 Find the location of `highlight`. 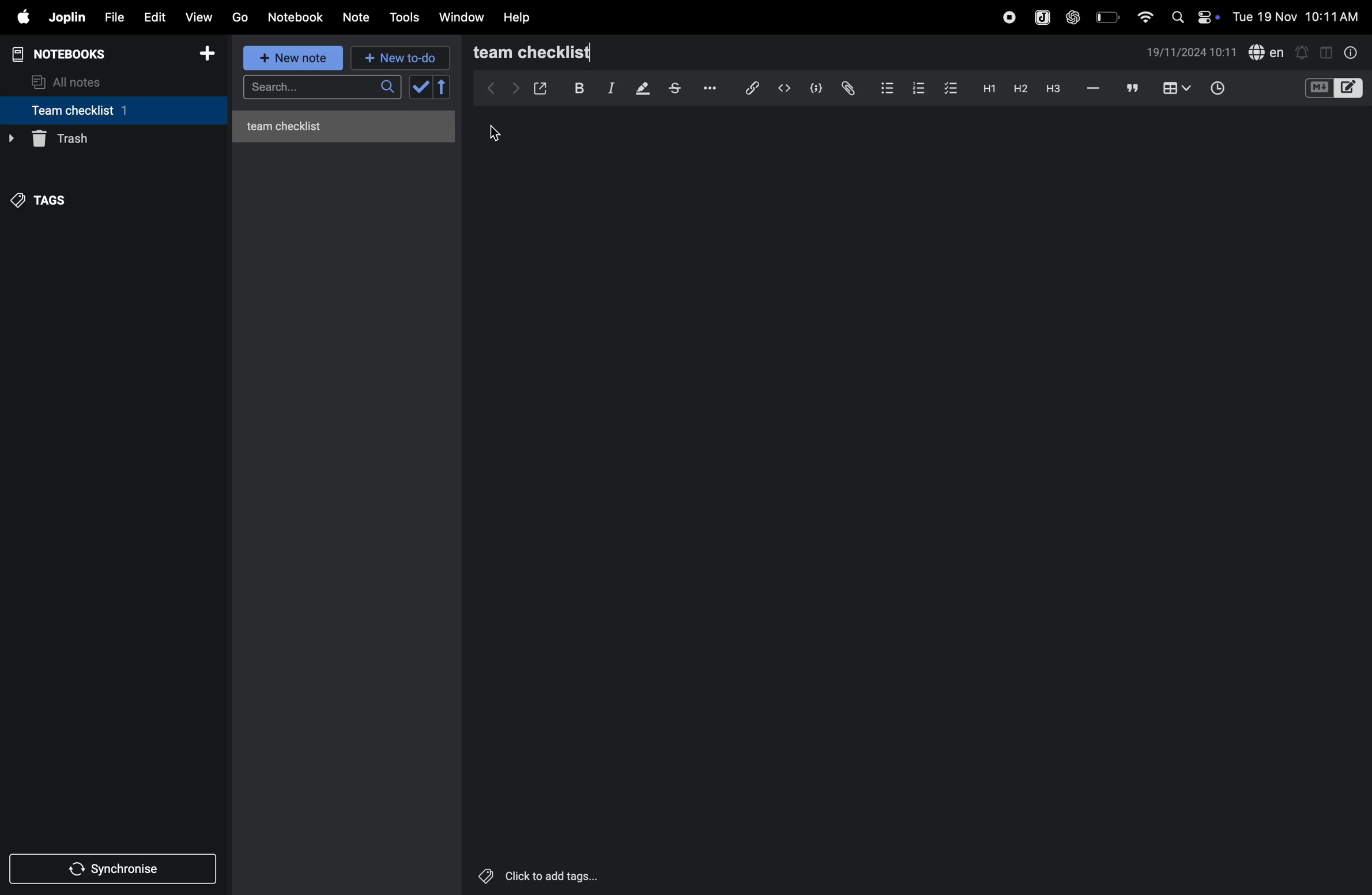

highlight is located at coordinates (641, 89).